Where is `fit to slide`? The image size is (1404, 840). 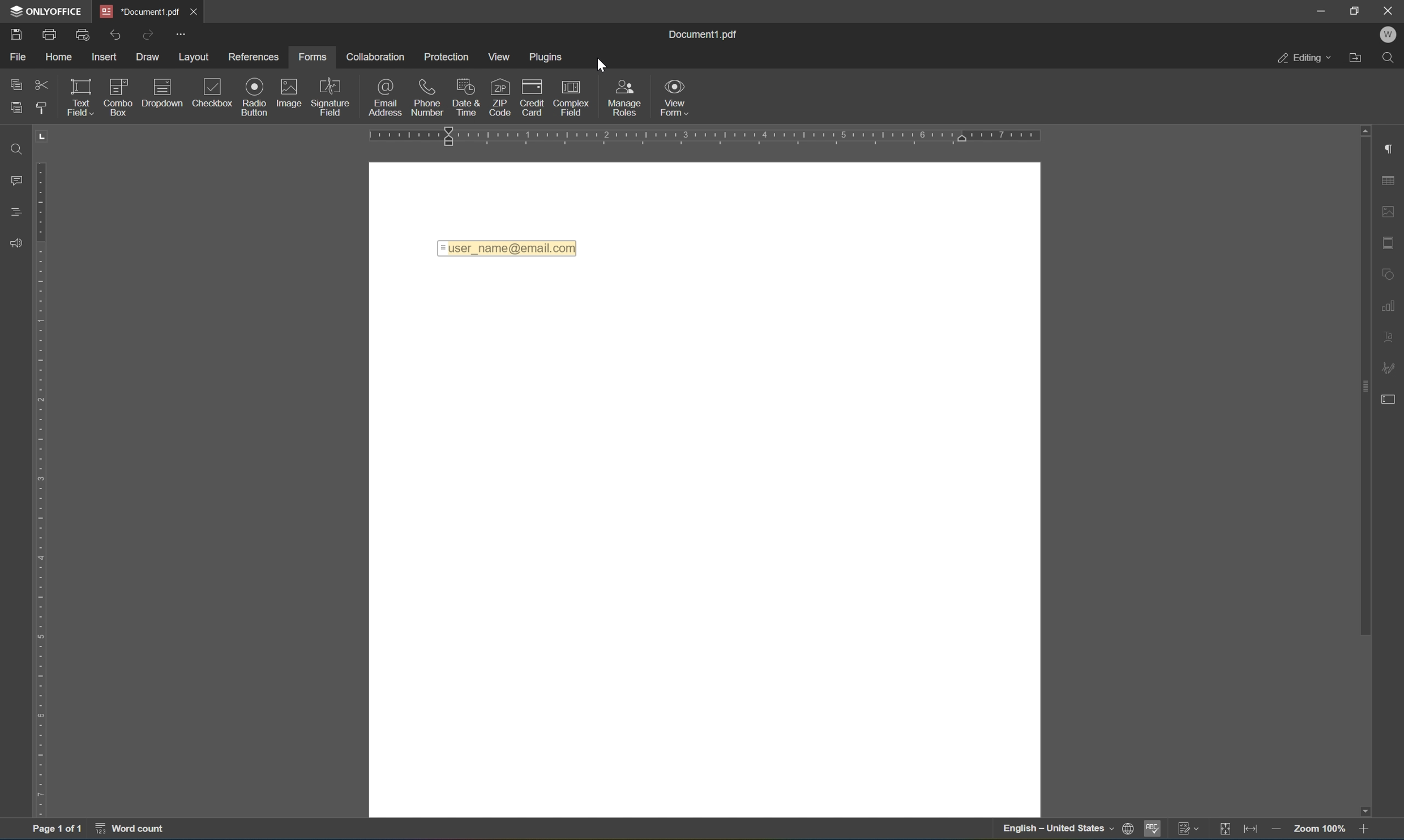
fit to slide is located at coordinates (1224, 828).